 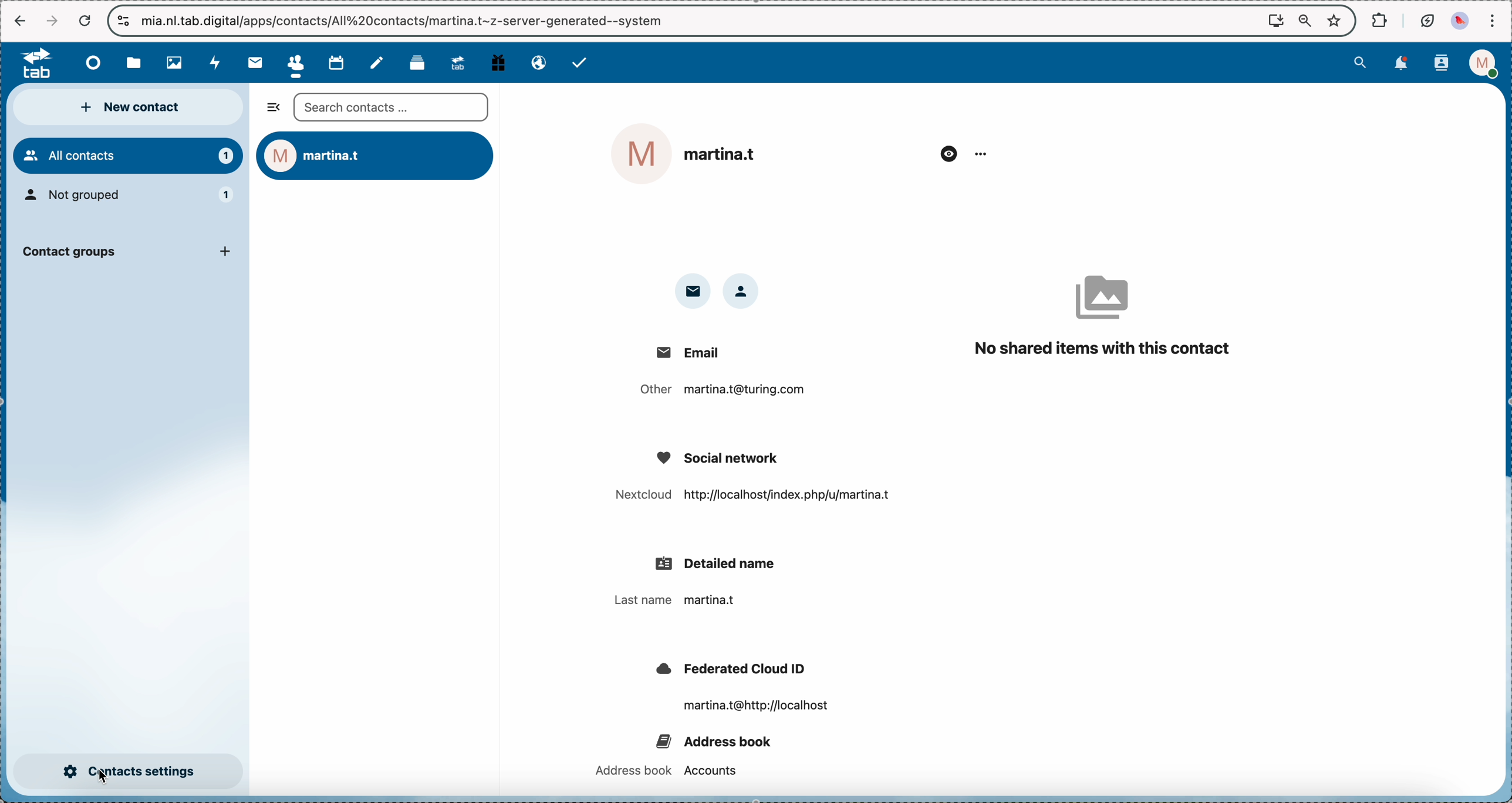 I want to click on address book, so click(x=682, y=751).